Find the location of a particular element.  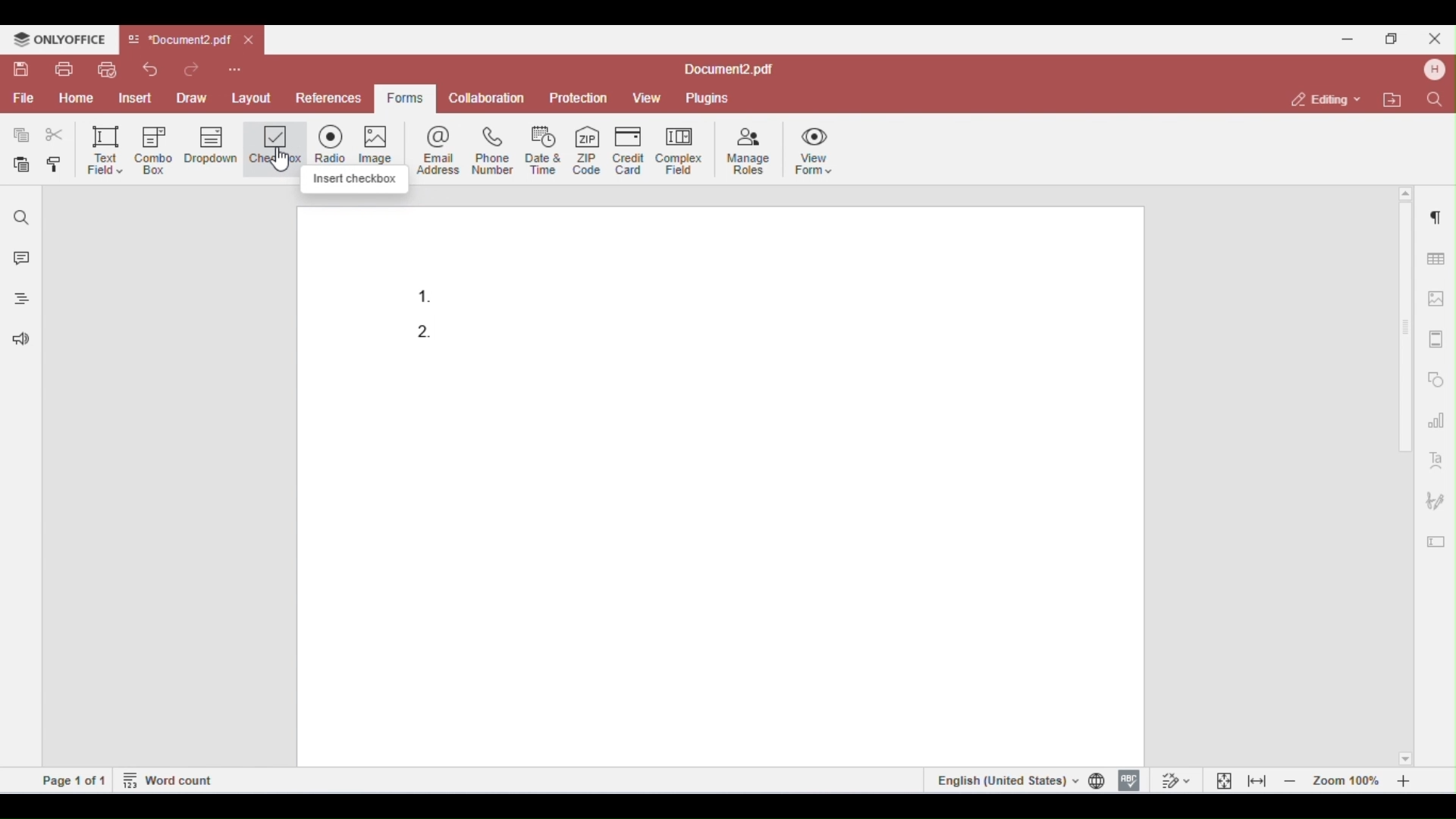

maximize is located at coordinates (1395, 38).